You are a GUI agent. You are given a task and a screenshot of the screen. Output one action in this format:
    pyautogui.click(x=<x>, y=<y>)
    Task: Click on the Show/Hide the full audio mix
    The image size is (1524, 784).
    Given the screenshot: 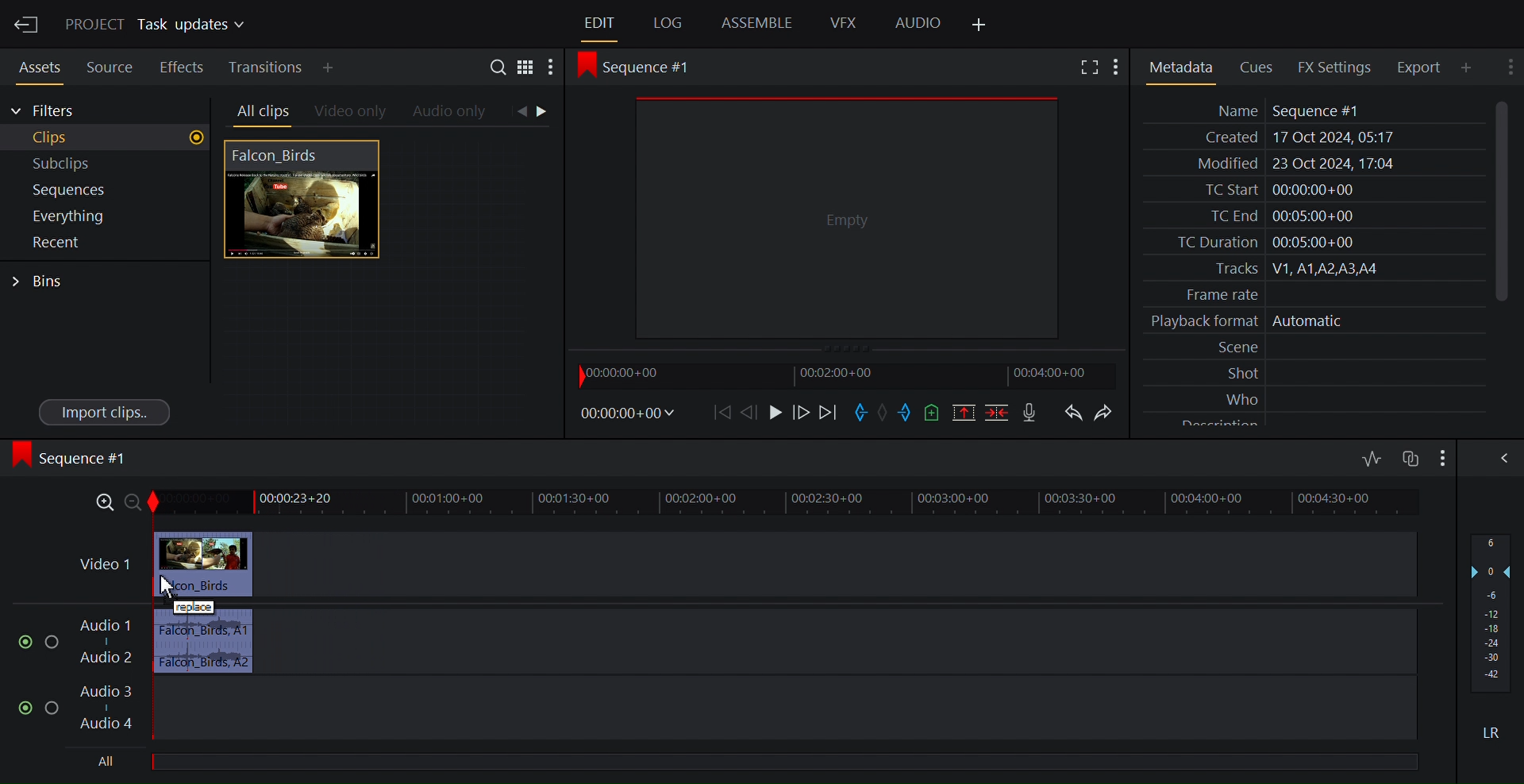 What is the action you would take?
    pyautogui.click(x=1501, y=458)
    